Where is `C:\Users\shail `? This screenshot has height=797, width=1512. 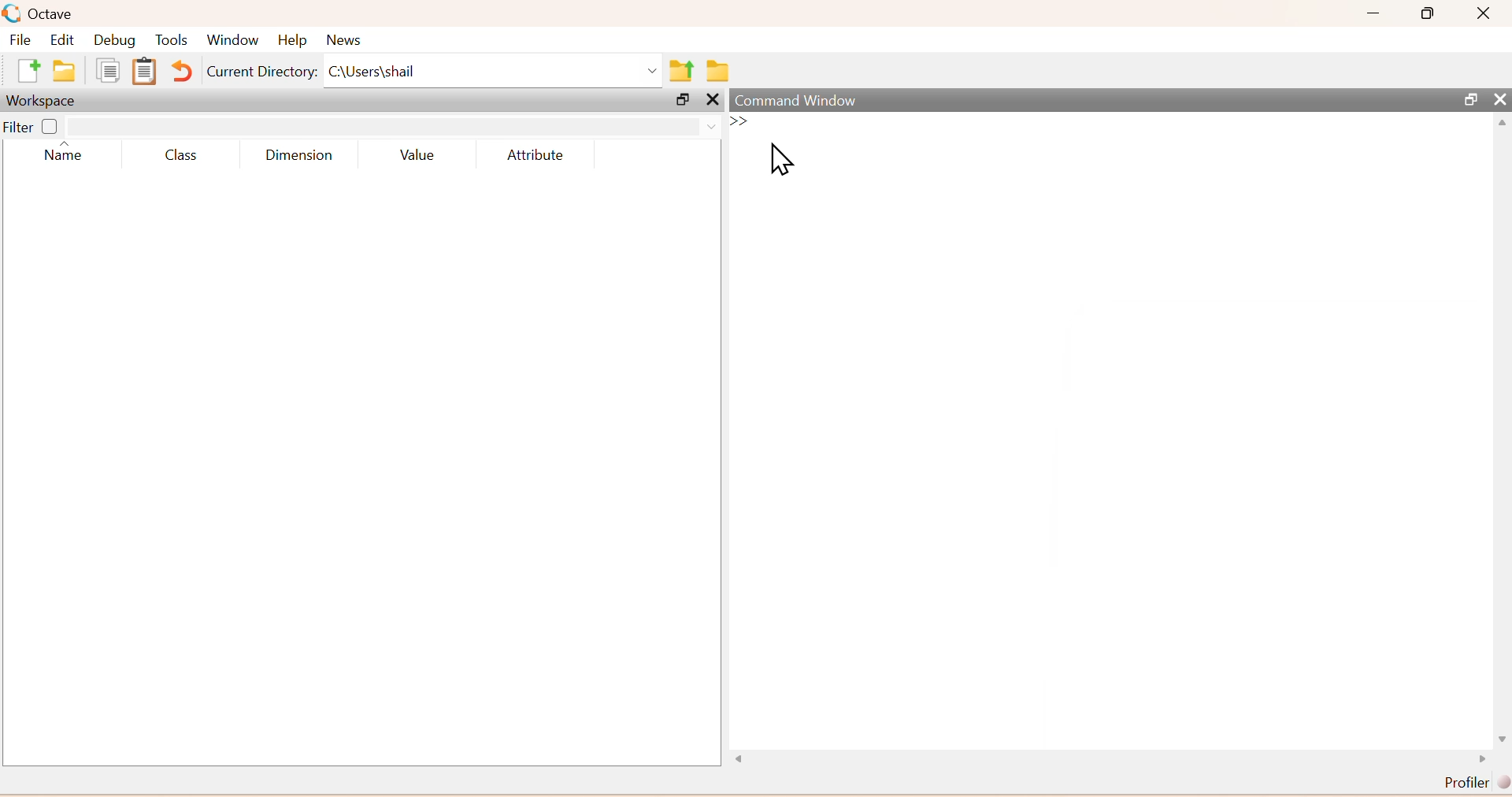 C:\Users\shail  is located at coordinates (495, 74).